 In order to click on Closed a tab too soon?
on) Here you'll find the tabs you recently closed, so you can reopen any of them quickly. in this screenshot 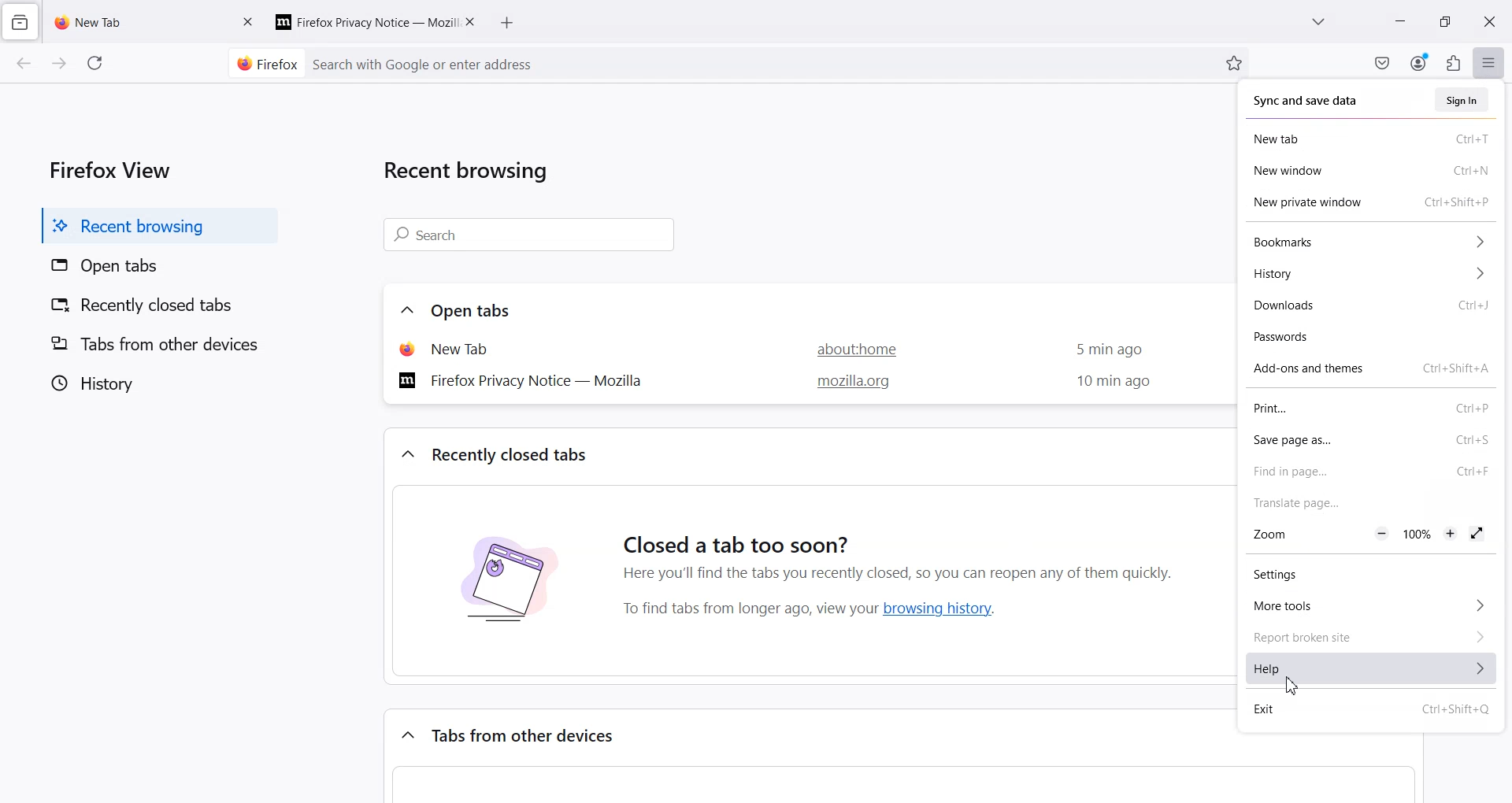, I will do `click(907, 545)`.